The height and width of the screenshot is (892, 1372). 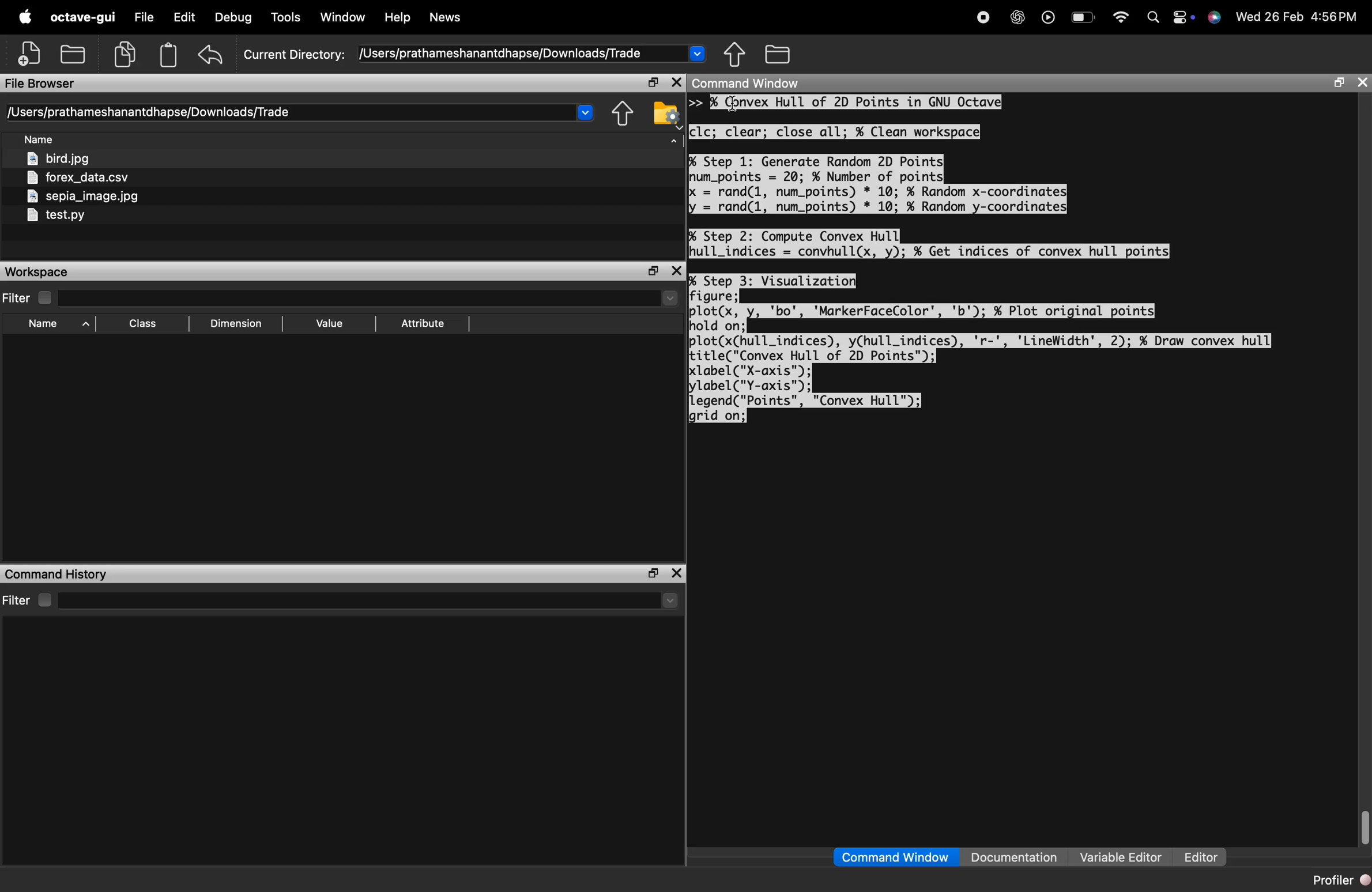 What do you see at coordinates (56, 216) in the screenshot?
I see `test.py` at bounding box center [56, 216].